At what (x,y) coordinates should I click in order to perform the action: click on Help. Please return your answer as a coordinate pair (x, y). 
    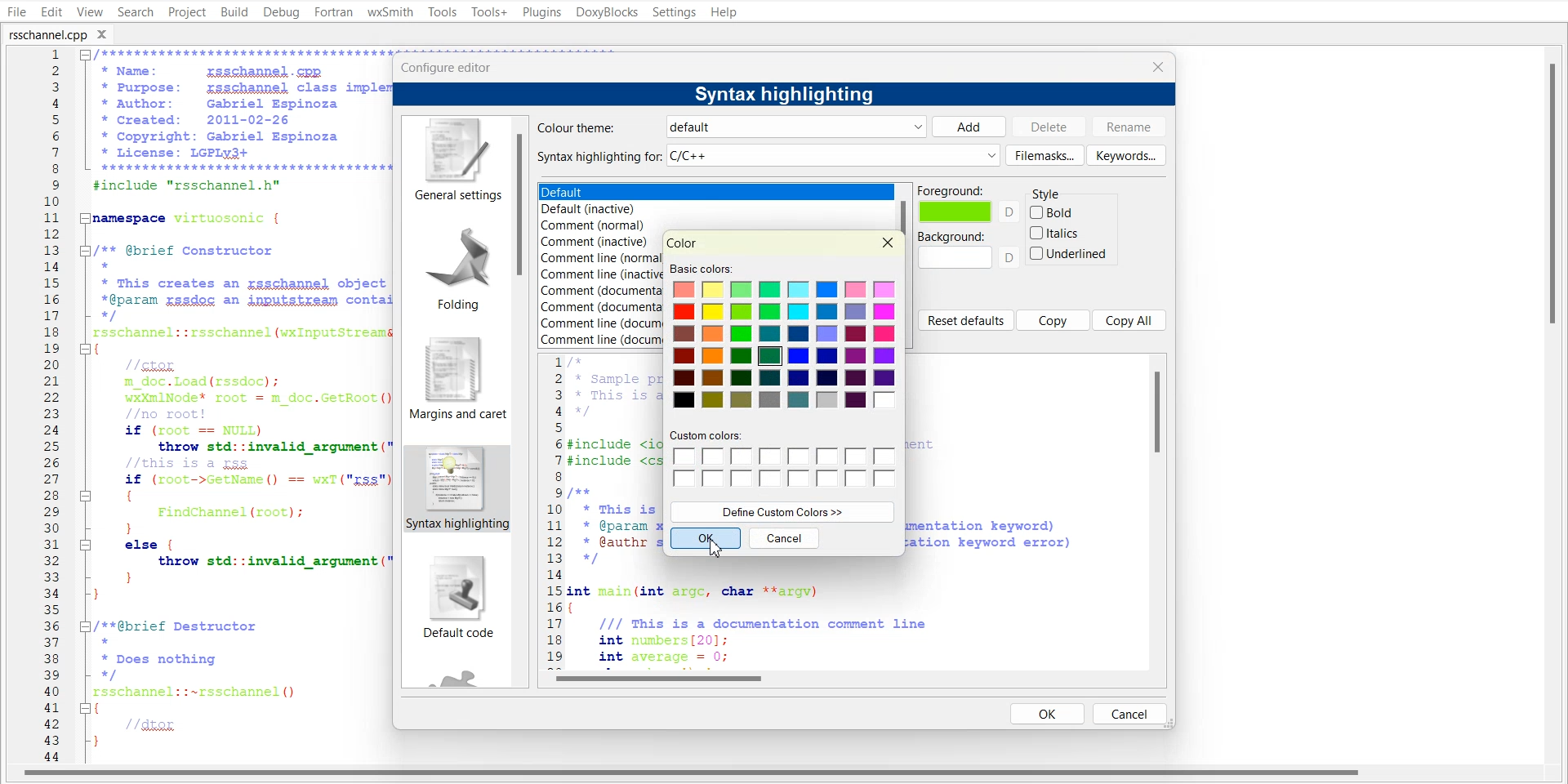
    Looking at the image, I should click on (724, 11).